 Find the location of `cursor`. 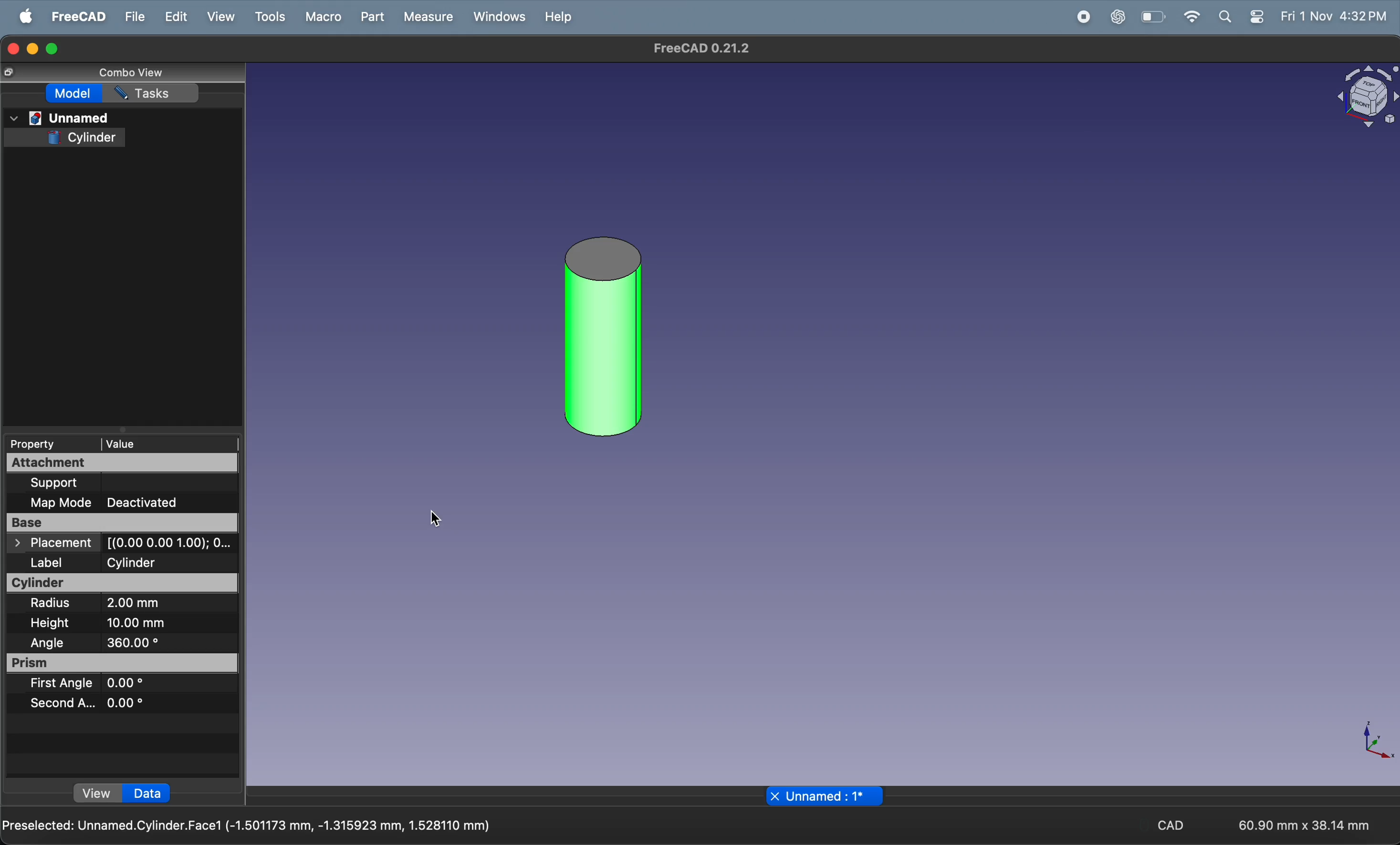

cursor is located at coordinates (435, 520).